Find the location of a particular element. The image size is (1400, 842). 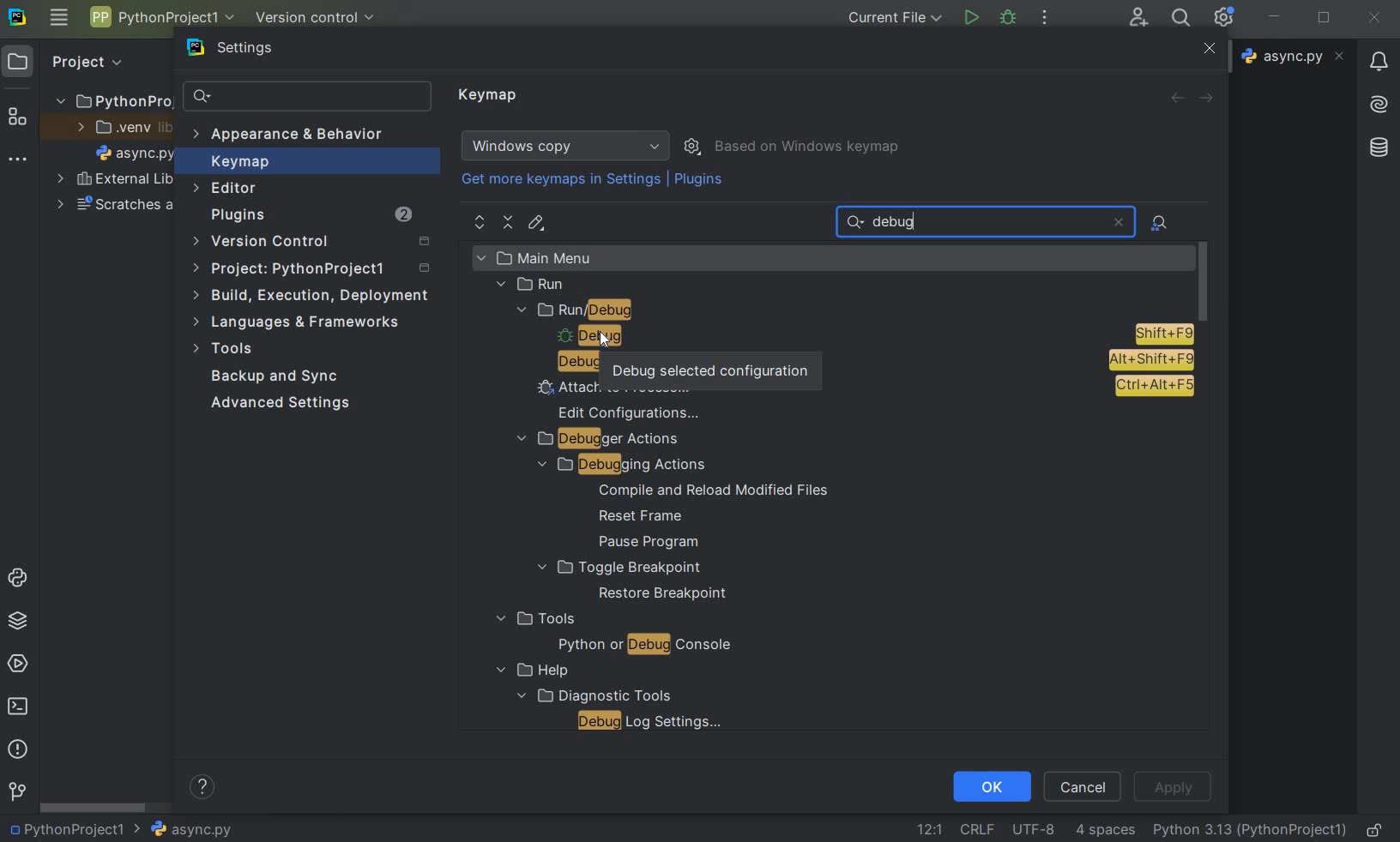

keymap is located at coordinates (490, 96).